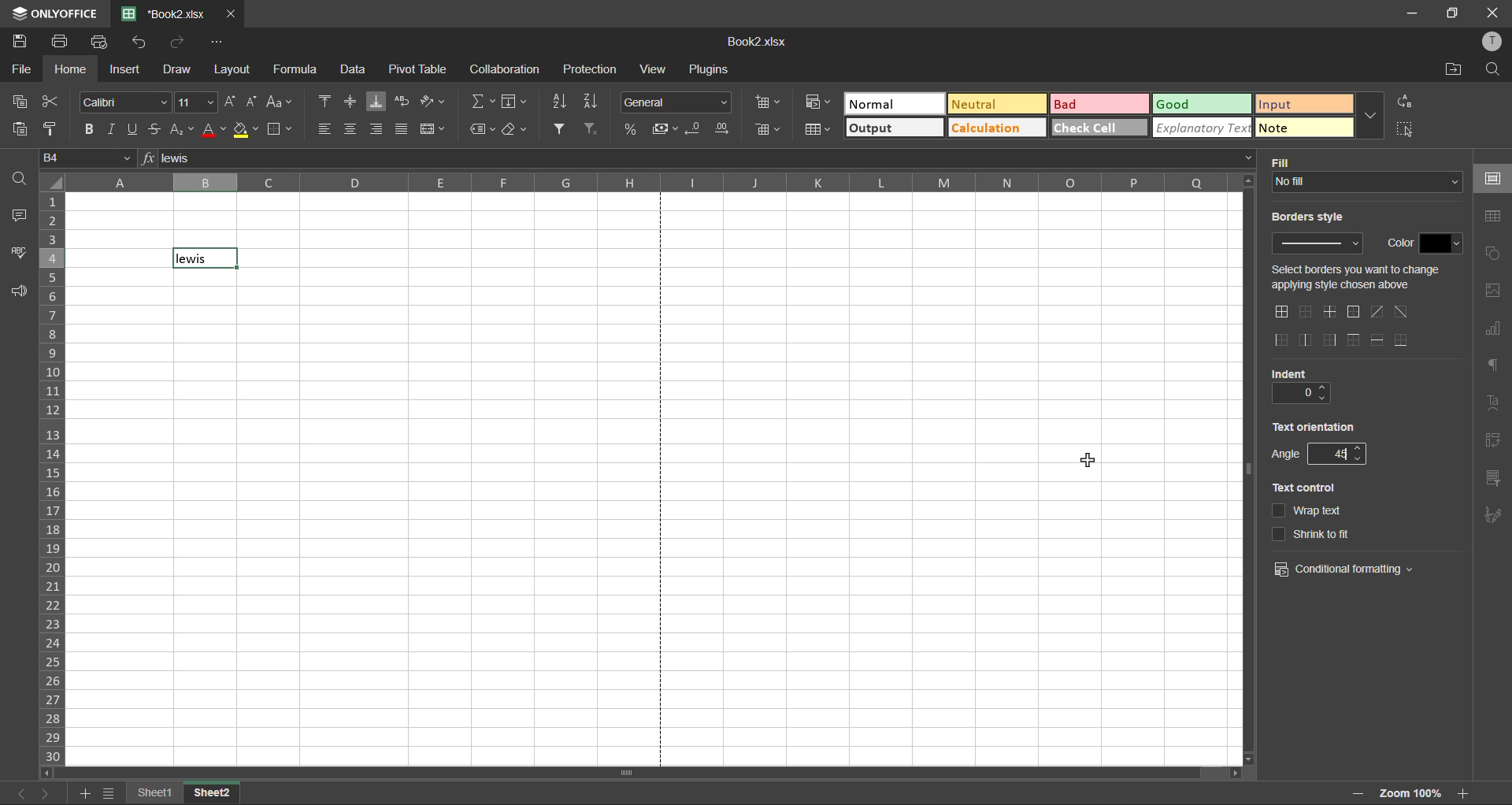 Image resolution: width=1512 pixels, height=805 pixels. What do you see at coordinates (86, 158) in the screenshot?
I see `cell address` at bounding box center [86, 158].